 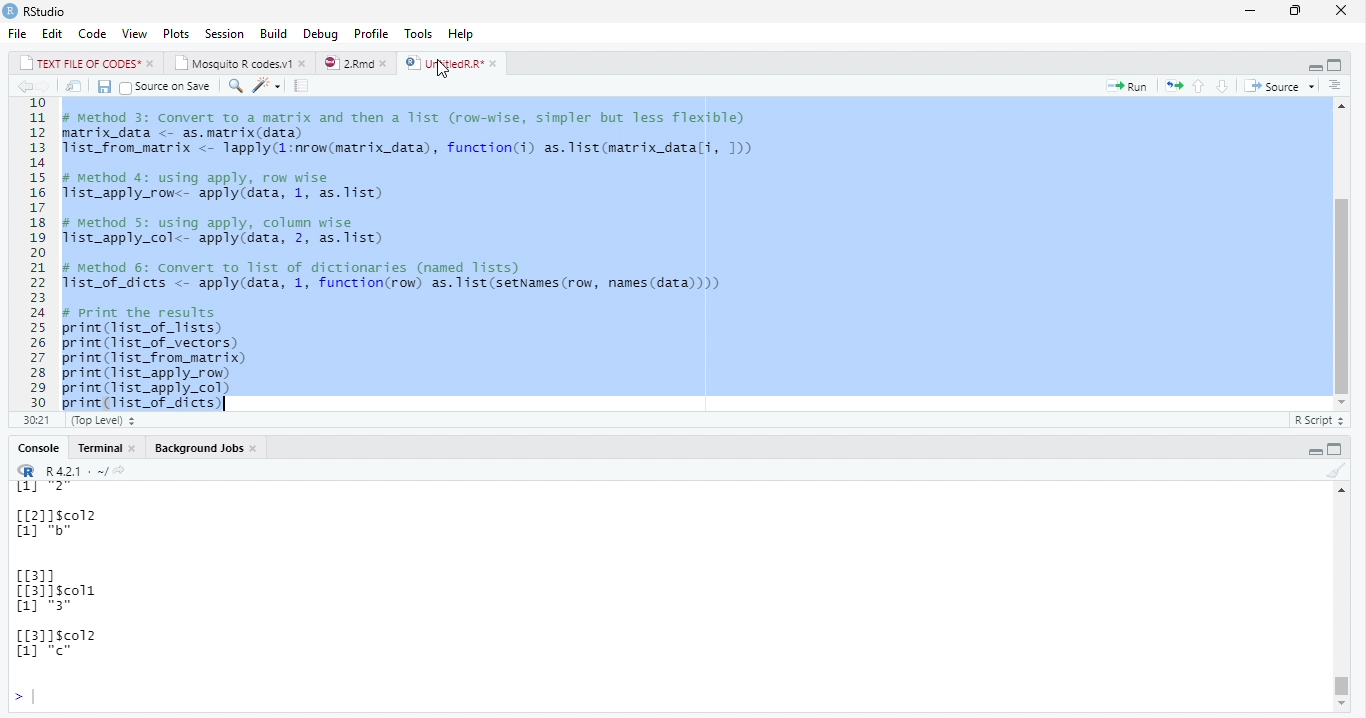 I want to click on 2.Rmd, so click(x=356, y=64).